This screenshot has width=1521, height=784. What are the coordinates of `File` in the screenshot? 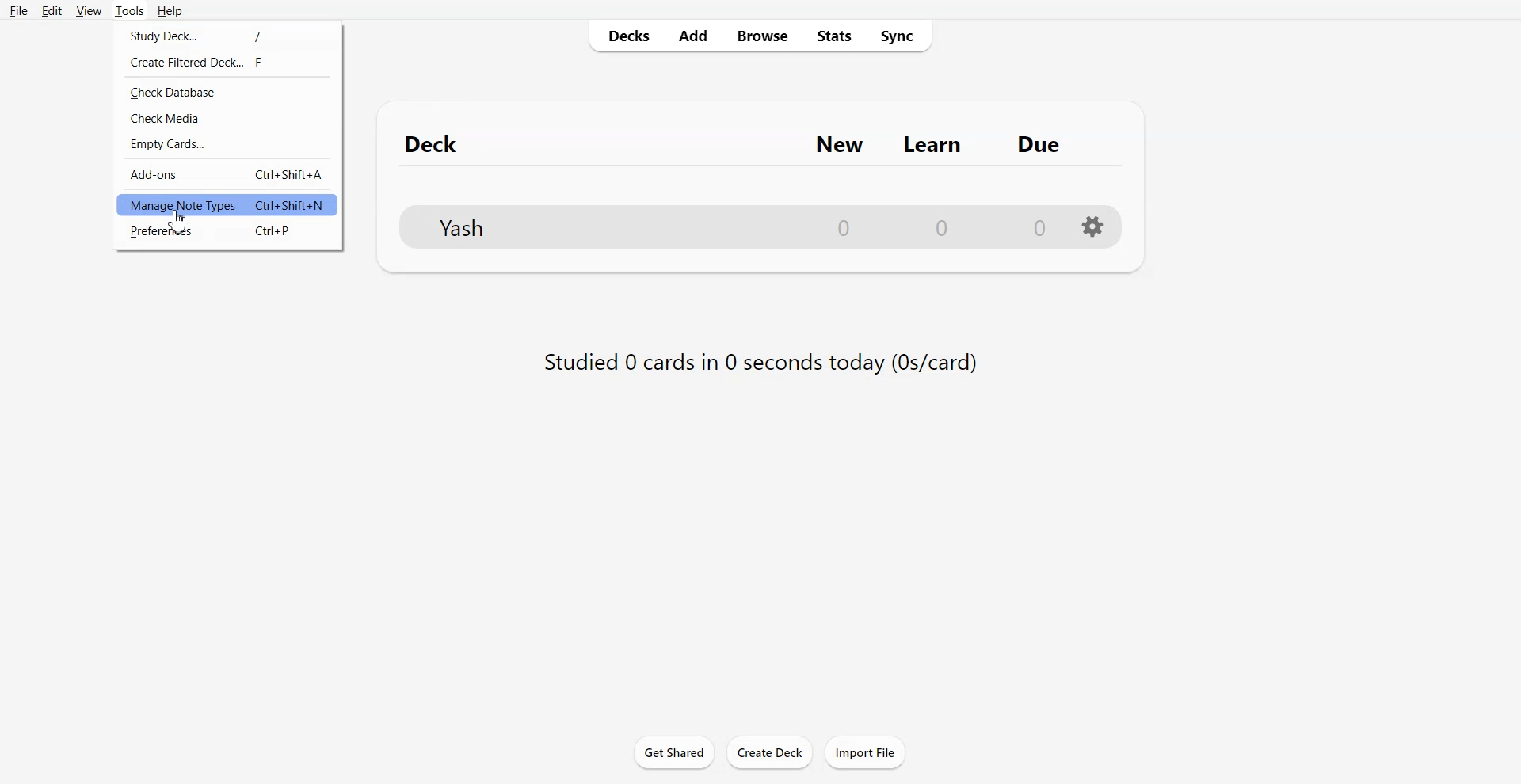 It's located at (18, 10).